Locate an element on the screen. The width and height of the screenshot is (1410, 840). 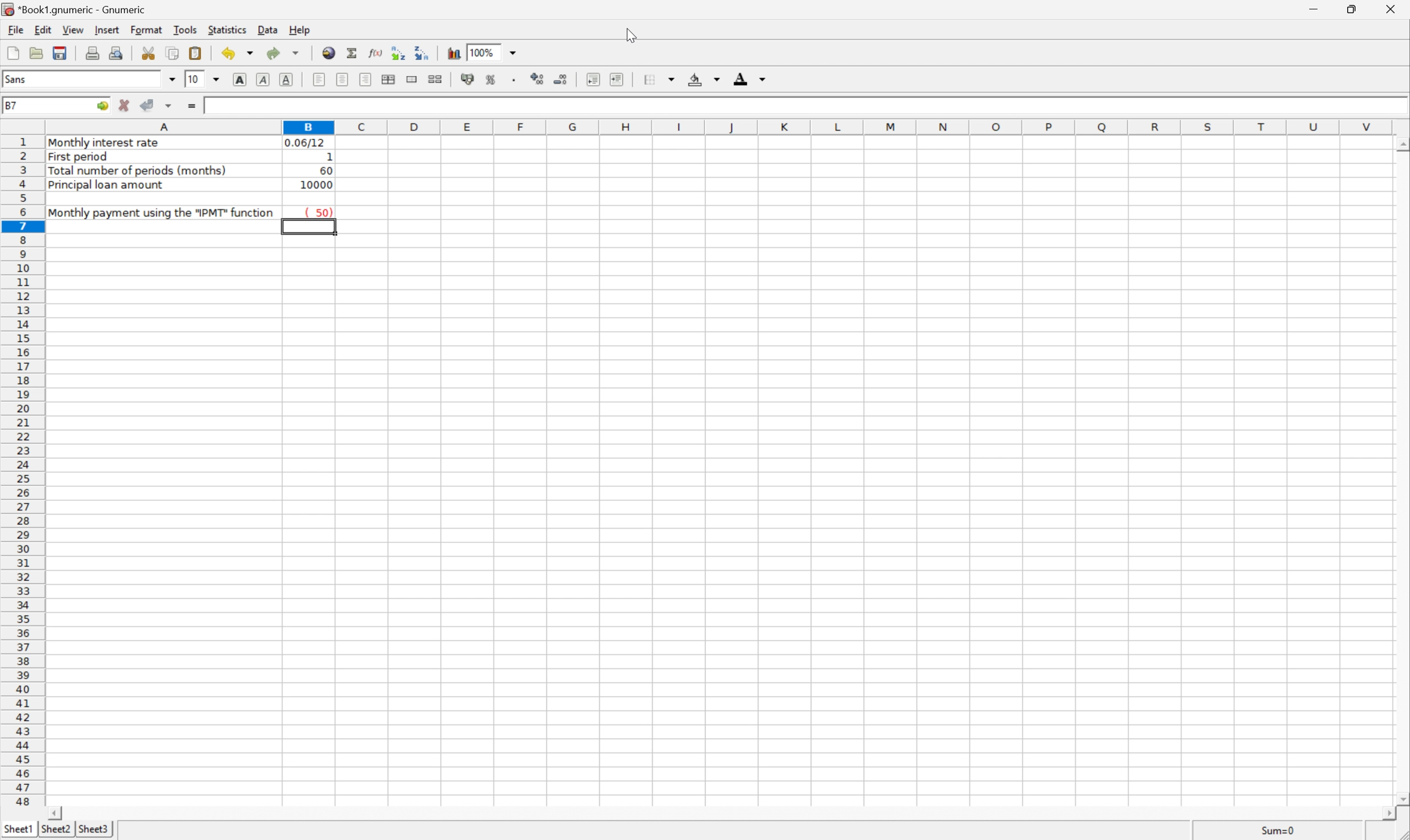
Align Right is located at coordinates (366, 79).